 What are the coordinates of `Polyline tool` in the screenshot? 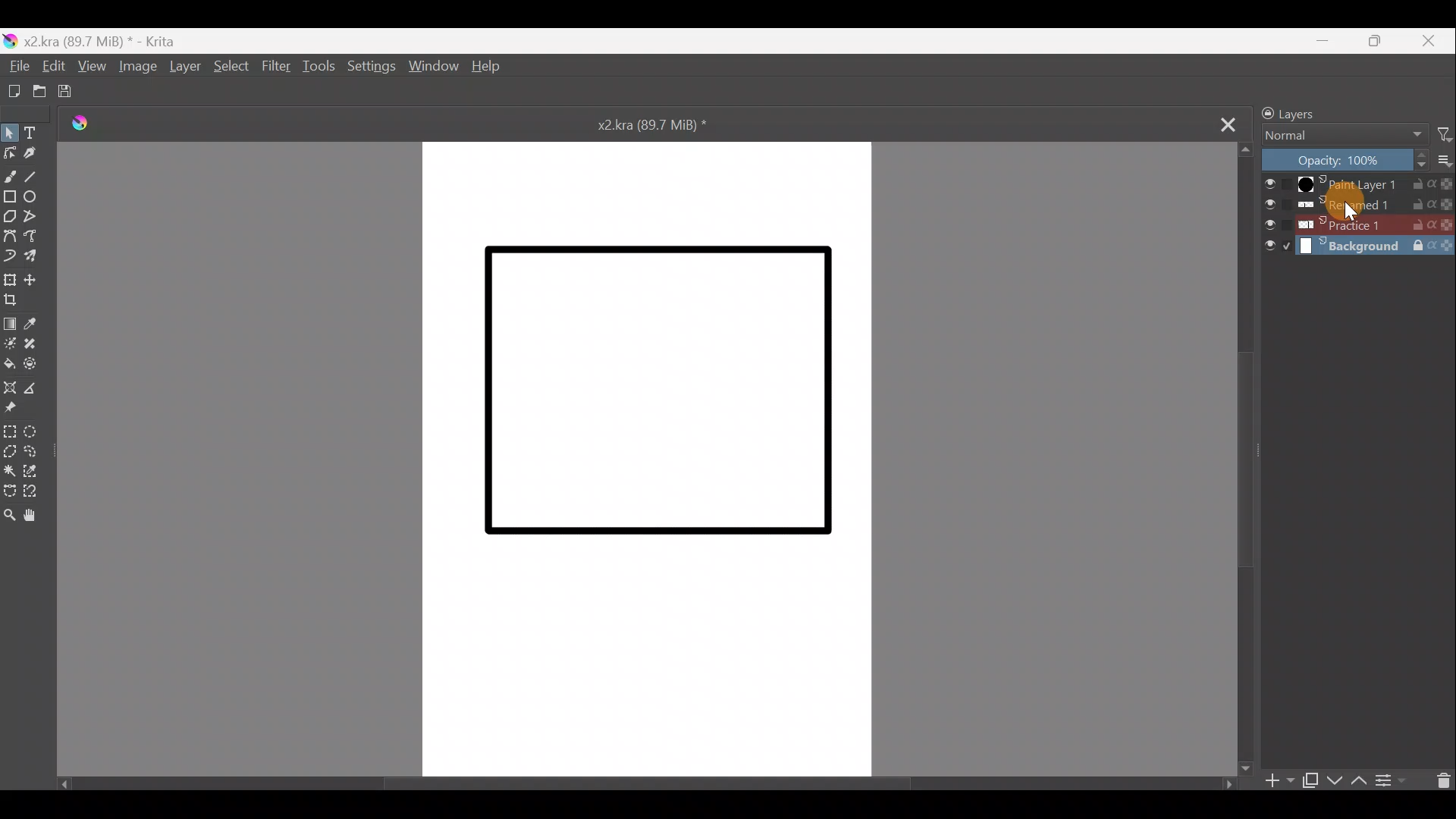 It's located at (36, 216).